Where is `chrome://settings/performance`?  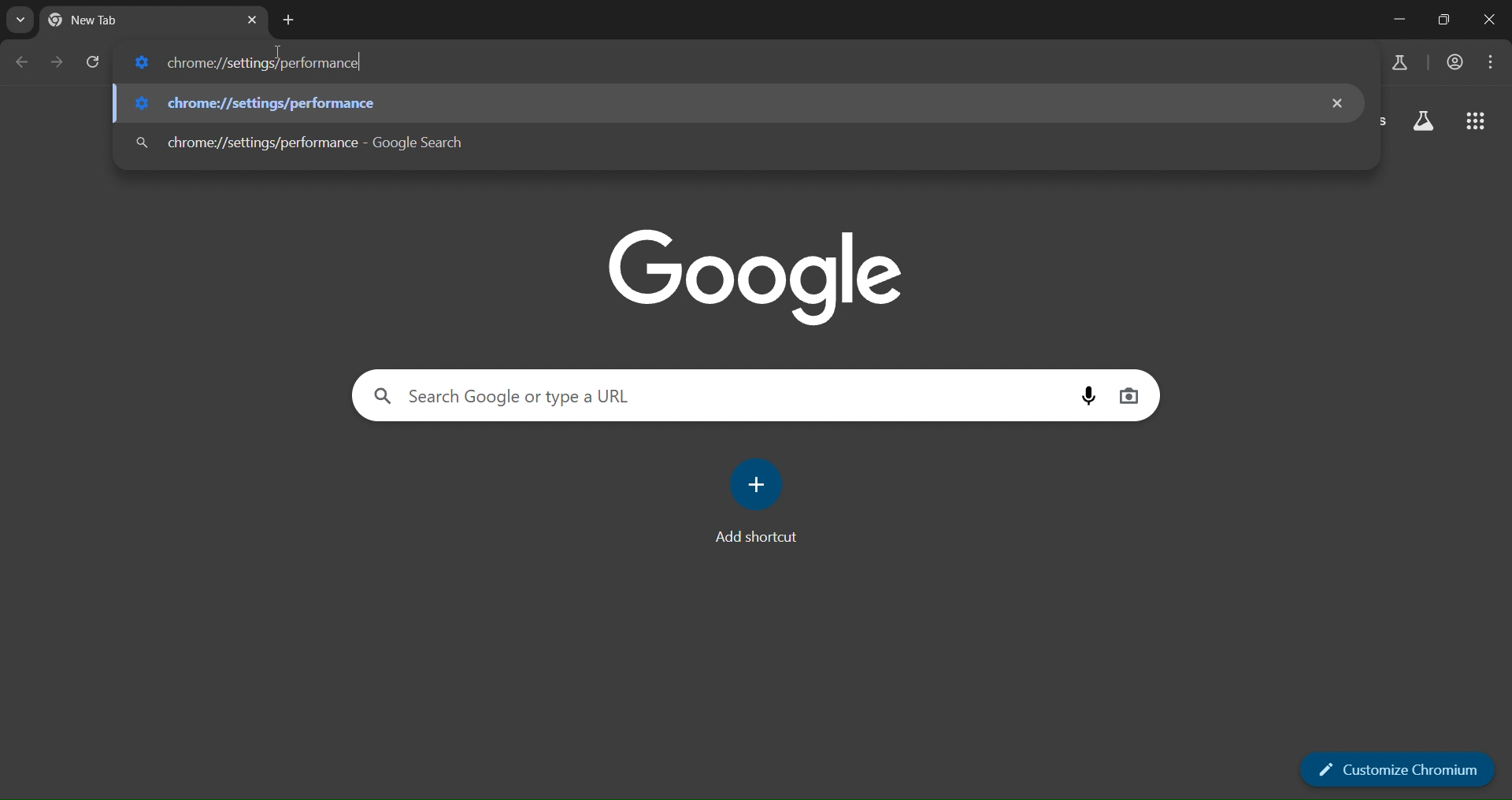
chrome://settings/performance is located at coordinates (721, 145).